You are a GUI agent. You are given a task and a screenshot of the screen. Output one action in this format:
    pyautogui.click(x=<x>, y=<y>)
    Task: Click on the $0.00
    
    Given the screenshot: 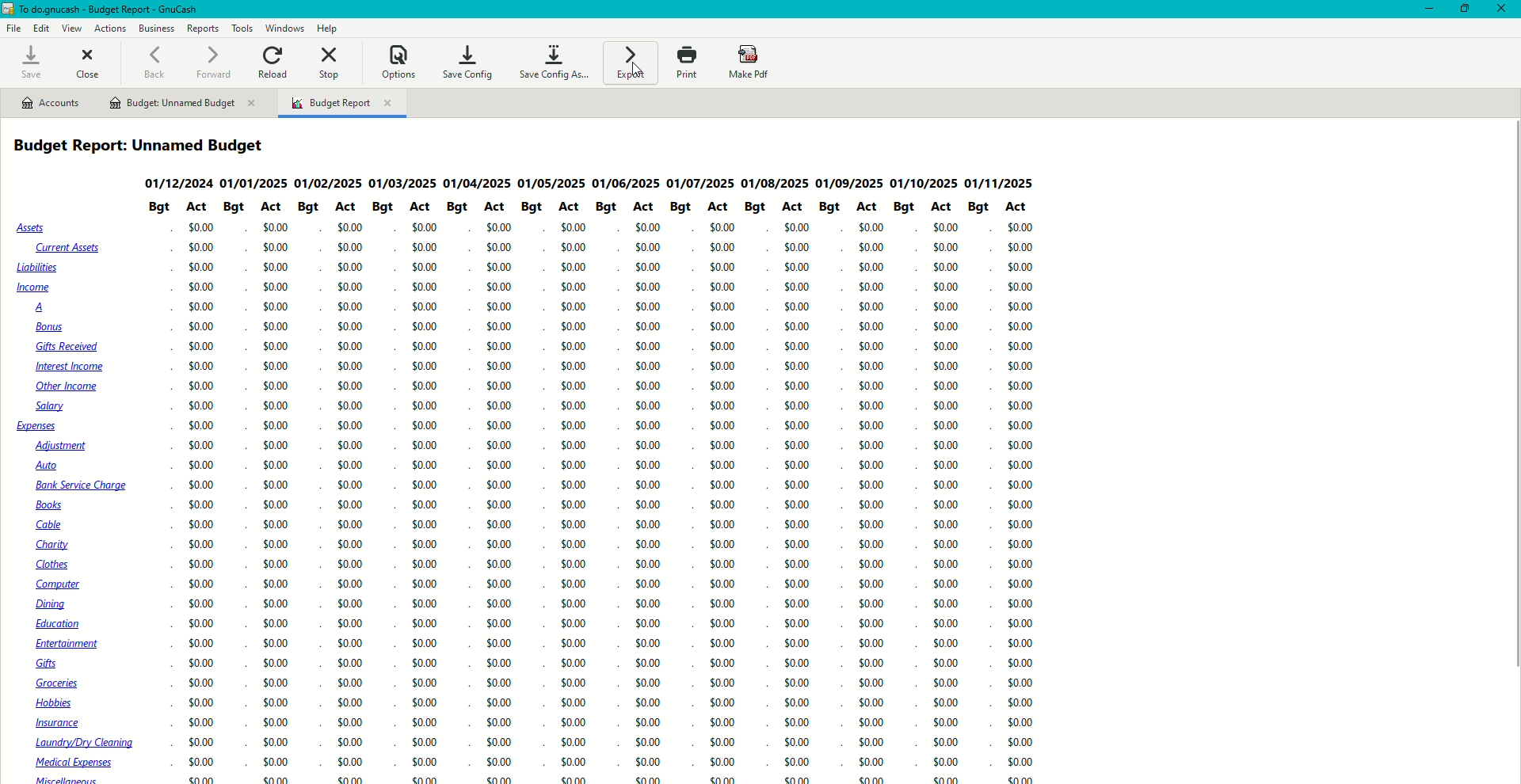 What is the action you would take?
    pyautogui.click(x=573, y=326)
    